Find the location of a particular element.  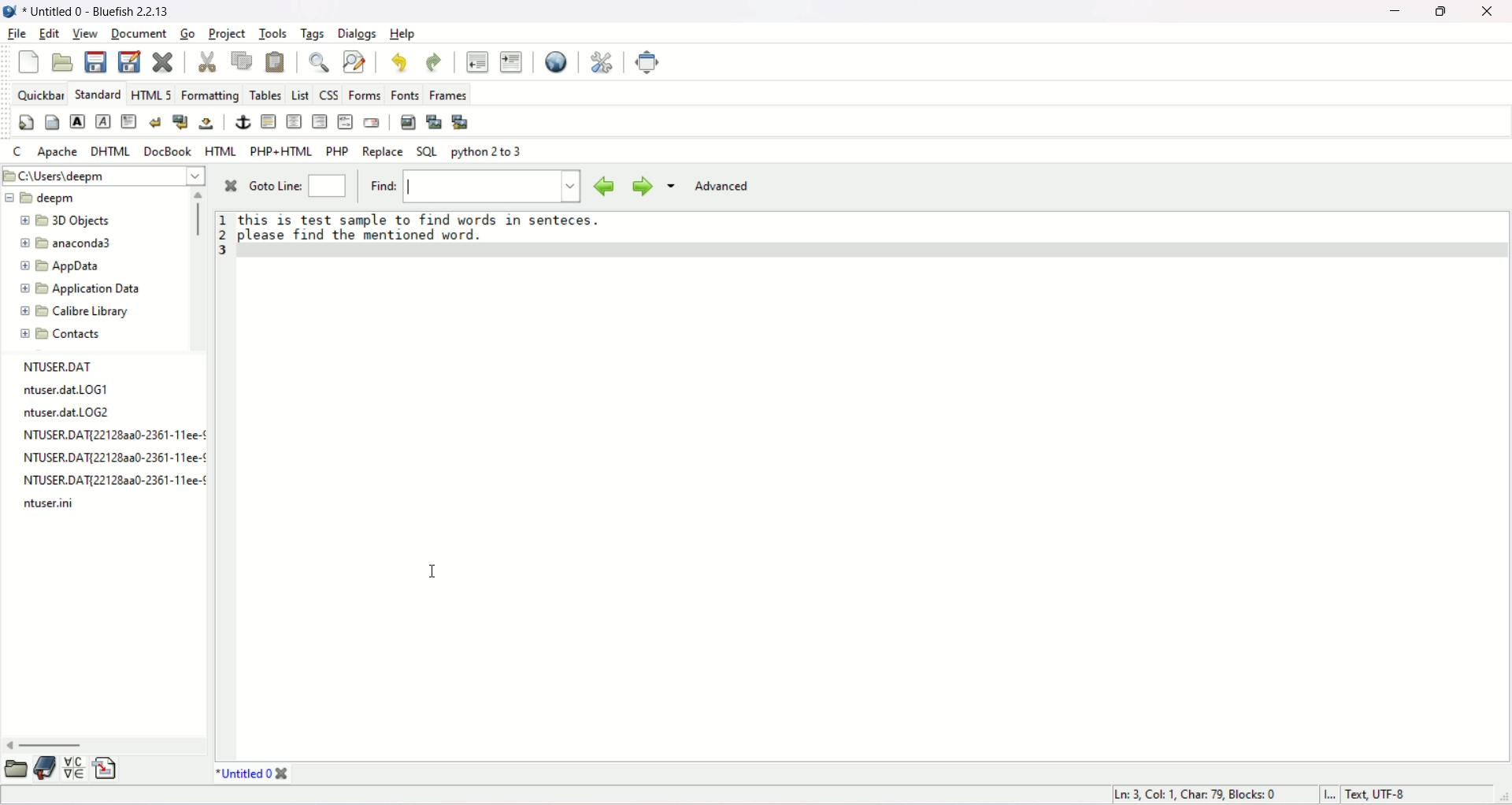

document is located at coordinates (137, 33).